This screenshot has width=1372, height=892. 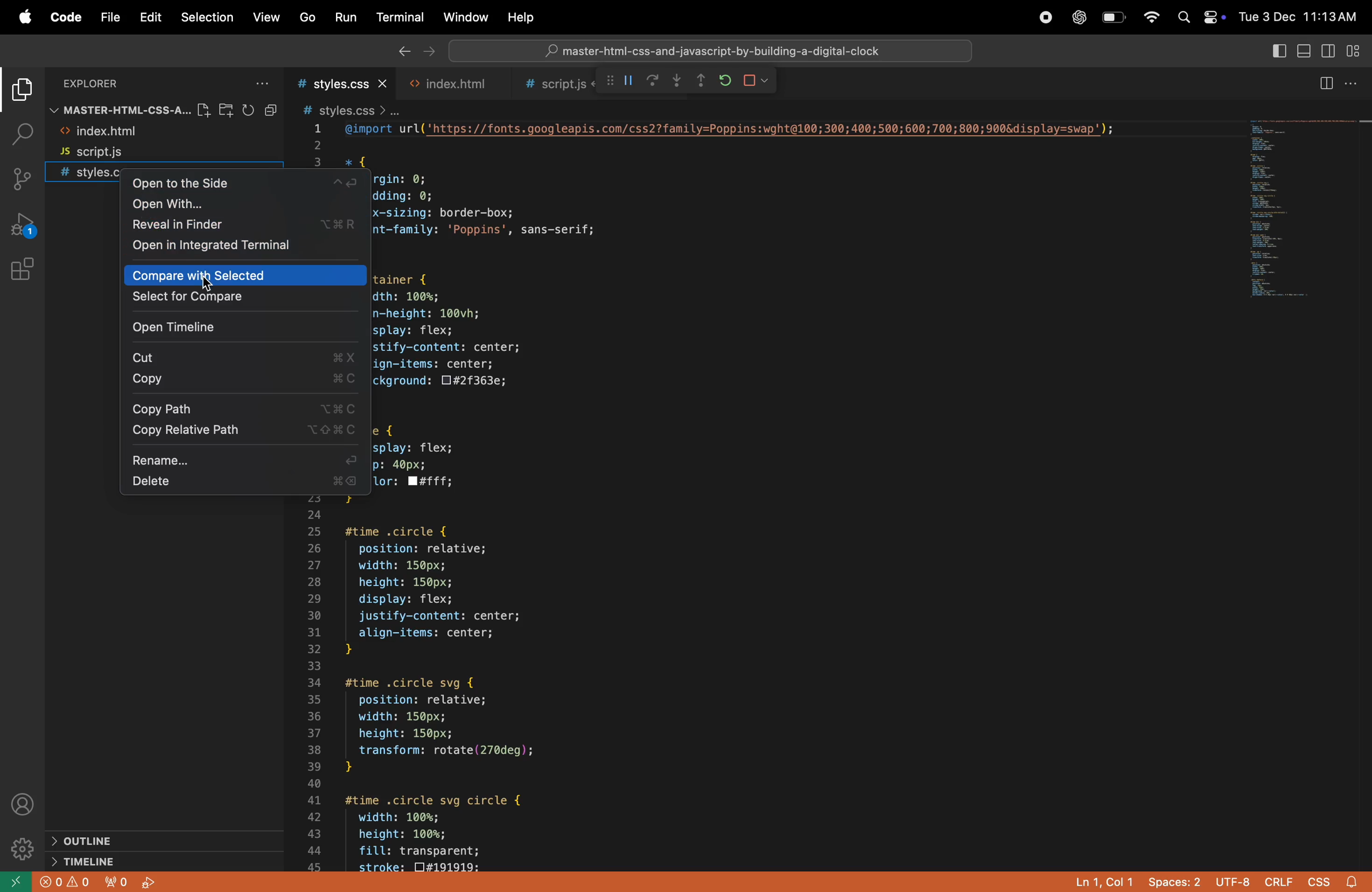 What do you see at coordinates (345, 16) in the screenshot?
I see `run` at bounding box center [345, 16].